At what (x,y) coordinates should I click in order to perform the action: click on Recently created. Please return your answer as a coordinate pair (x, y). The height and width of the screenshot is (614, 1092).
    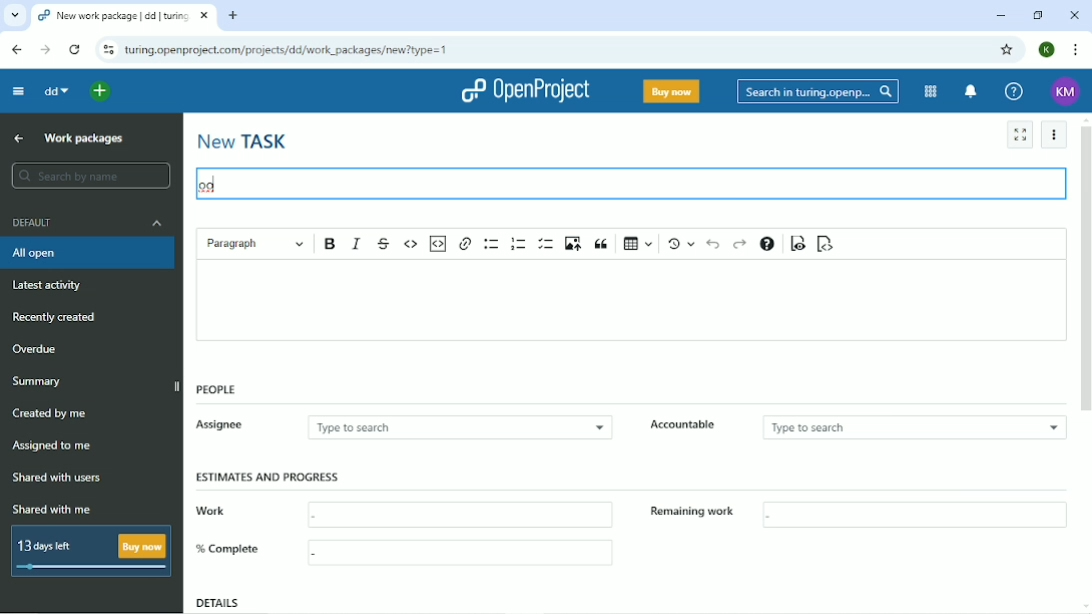
    Looking at the image, I should click on (56, 317).